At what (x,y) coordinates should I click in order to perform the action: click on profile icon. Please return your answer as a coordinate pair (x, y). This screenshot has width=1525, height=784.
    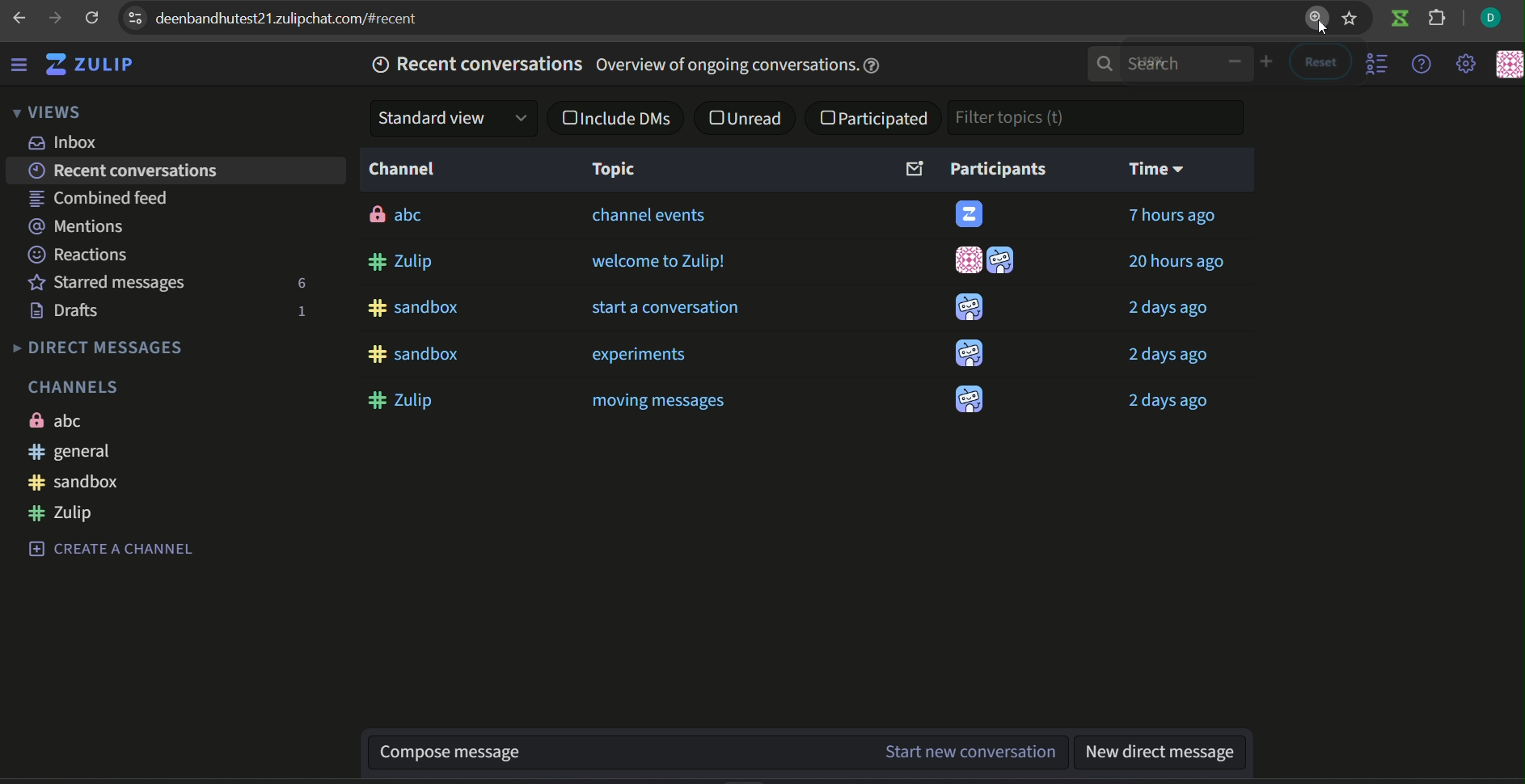
    Looking at the image, I should click on (1491, 19).